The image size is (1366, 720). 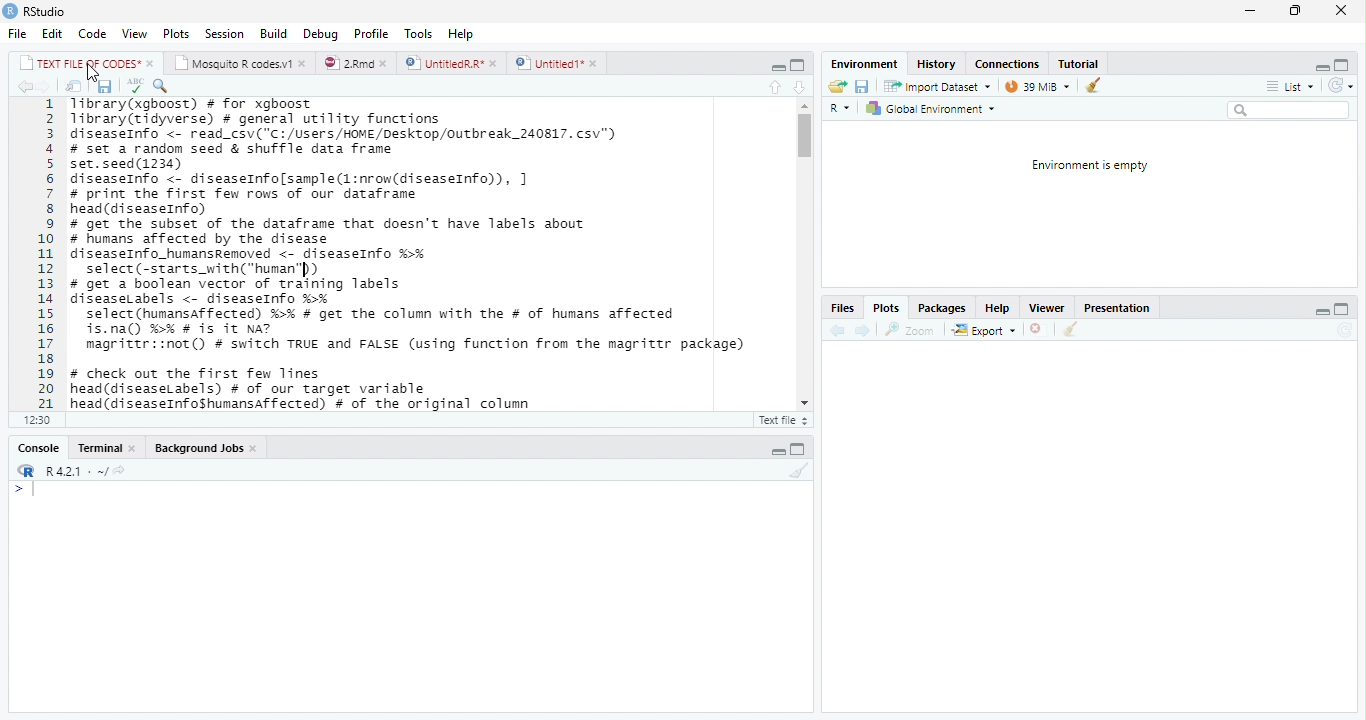 What do you see at coordinates (233, 85) in the screenshot?
I see `Find/Replace` at bounding box center [233, 85].